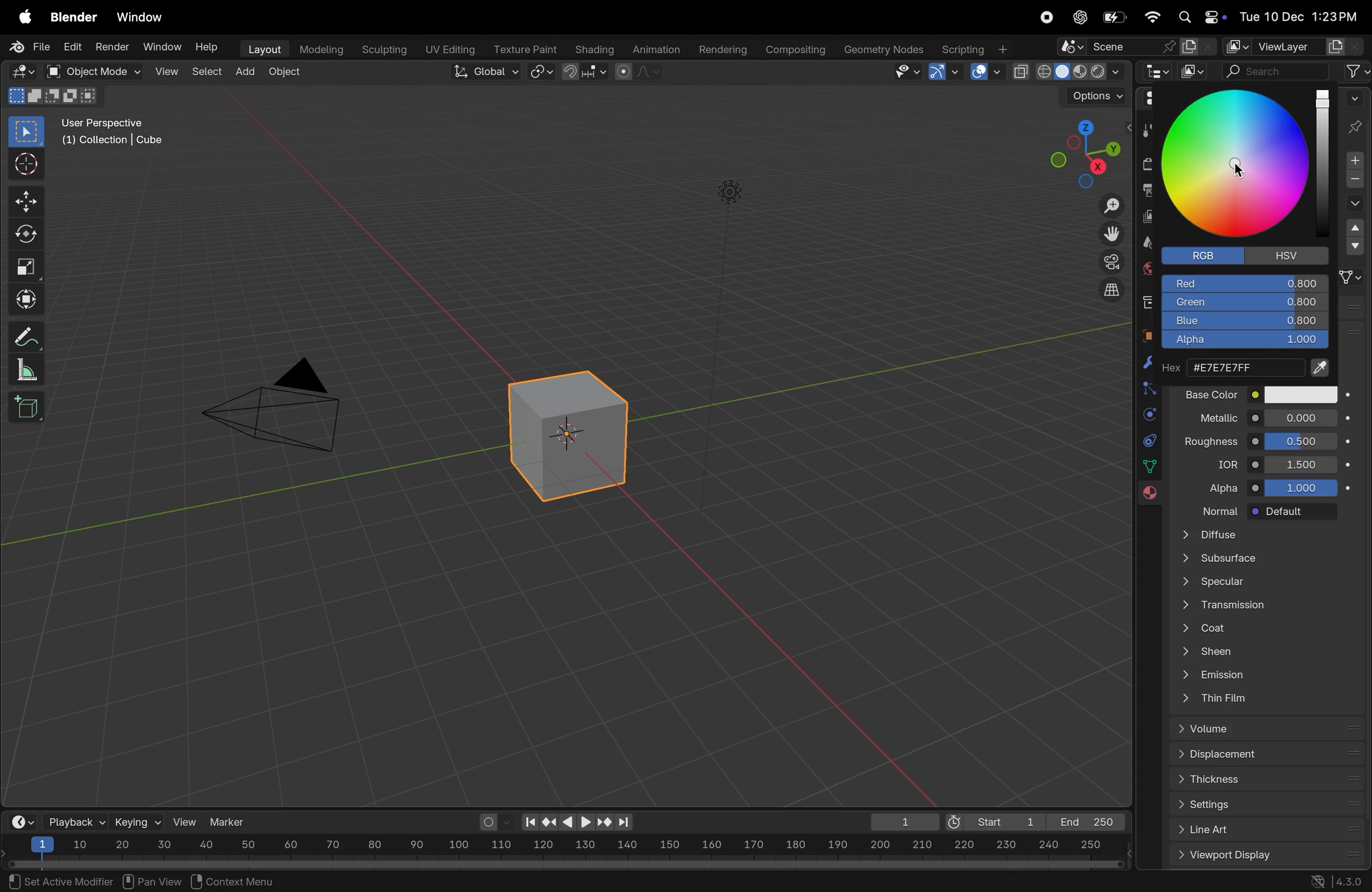 The width and height of the screenshot is (1372, 892). Describe the element at coordinates (54, 880) in the screenshot. I see `¥) set Active Modifier` at that location.